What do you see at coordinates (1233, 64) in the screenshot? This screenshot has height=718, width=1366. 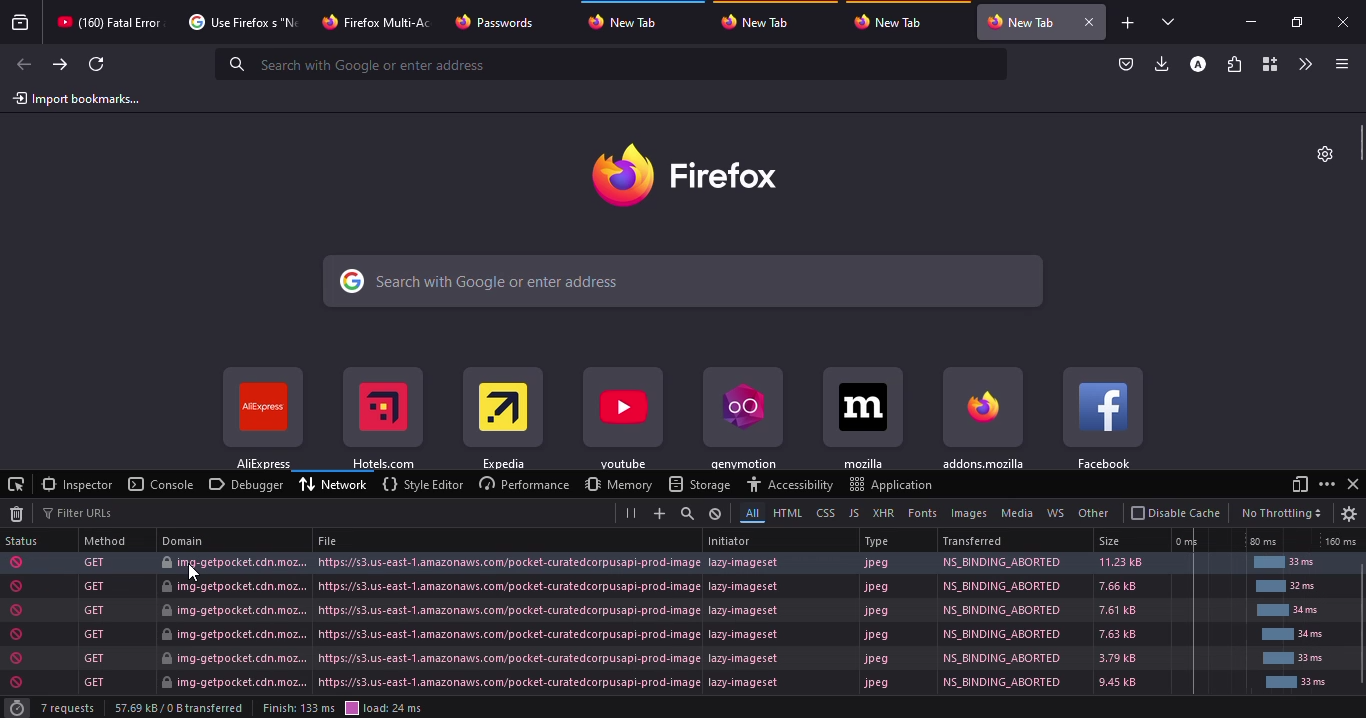 I see `extensions` at bounding box center [1233, 64].